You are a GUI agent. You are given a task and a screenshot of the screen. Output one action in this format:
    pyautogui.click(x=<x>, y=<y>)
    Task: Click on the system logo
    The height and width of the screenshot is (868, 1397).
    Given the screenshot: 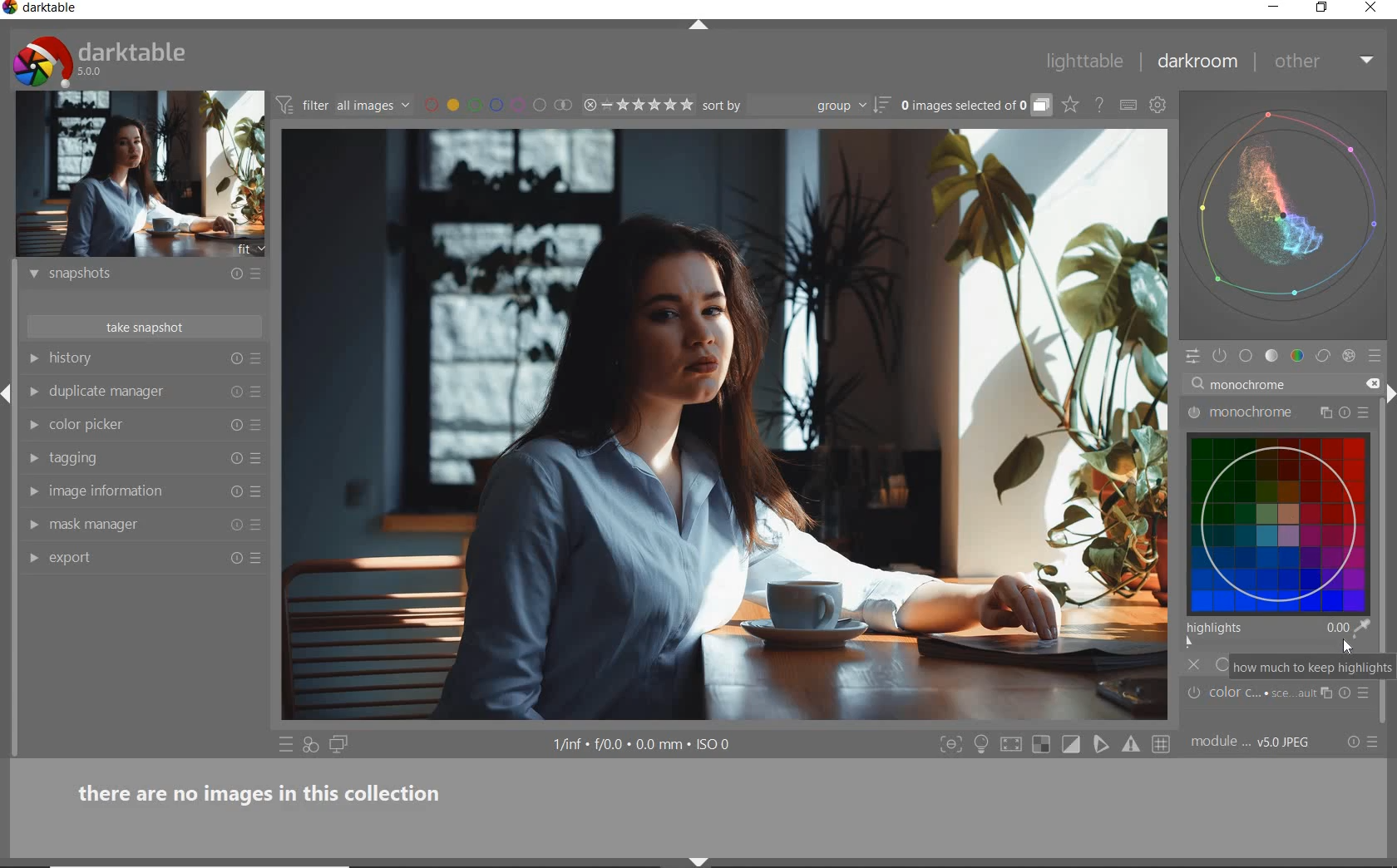 What is the action you would take?
    pyautogui.click(x=101, y=61)
    